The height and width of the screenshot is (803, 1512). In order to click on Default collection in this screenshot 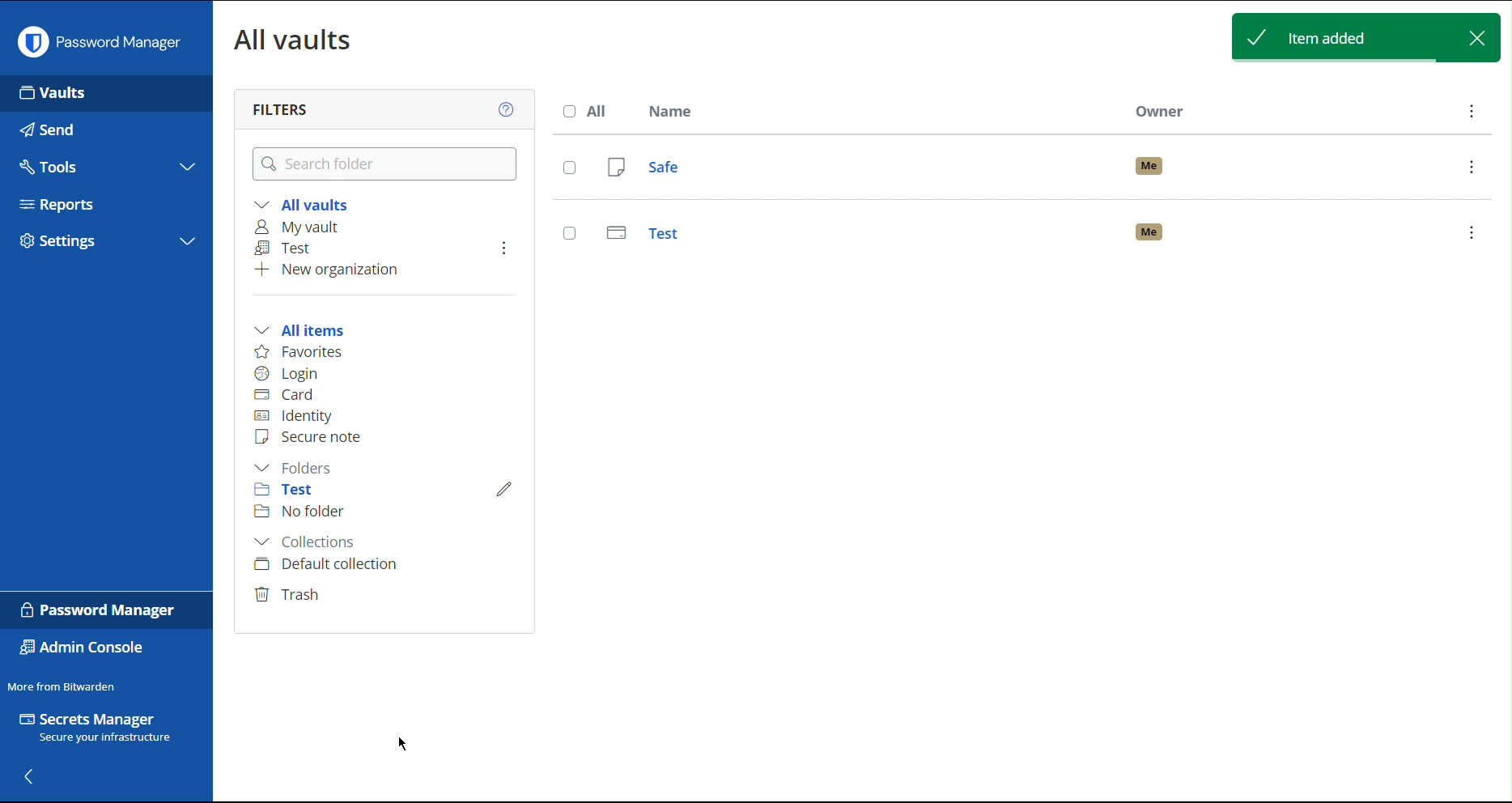, I will do `click(325, 564)`.